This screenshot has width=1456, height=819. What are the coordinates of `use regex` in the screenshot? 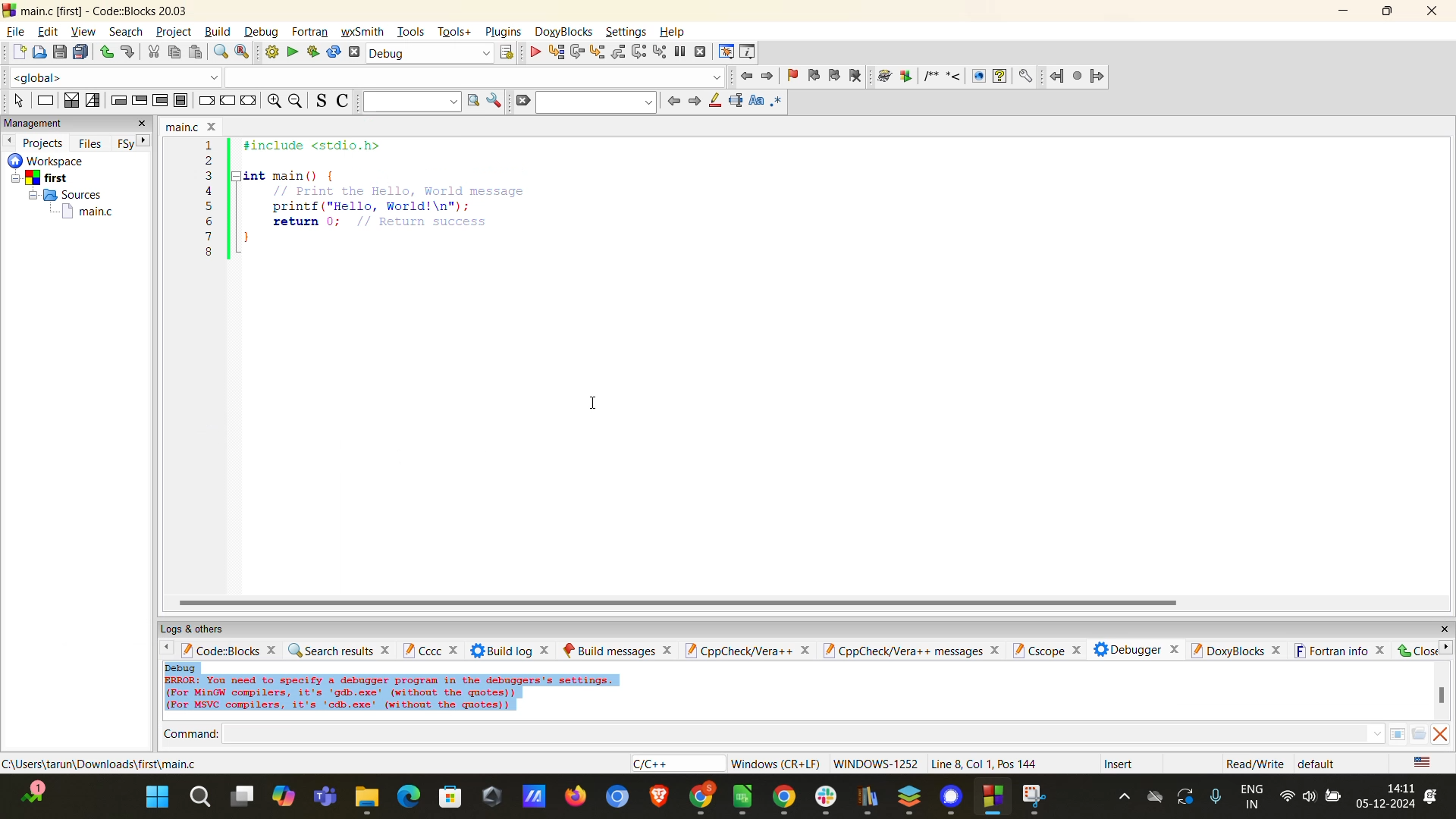 It's located at (781, 103).